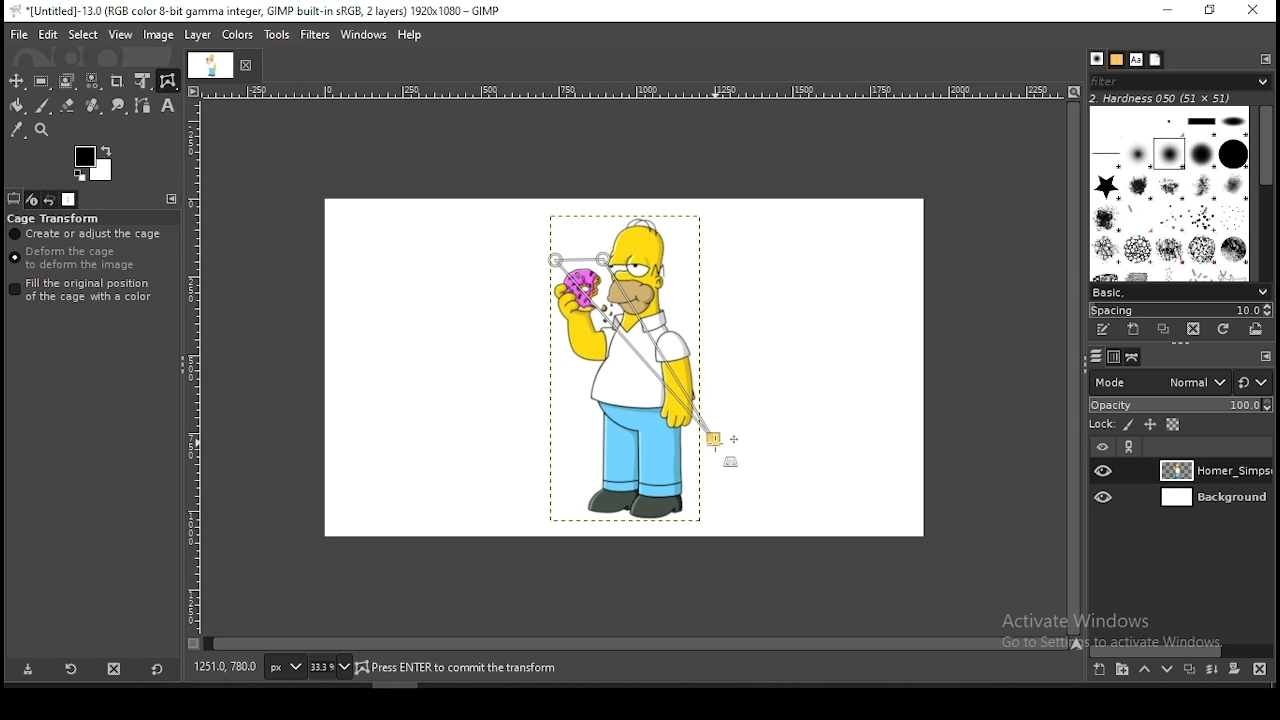 The width and height of the screenshot is (1280, 720). What do you see at coordinates (1232, 669) in the screenshot?
I see `add a mask` at bounding box center [1232, 669].